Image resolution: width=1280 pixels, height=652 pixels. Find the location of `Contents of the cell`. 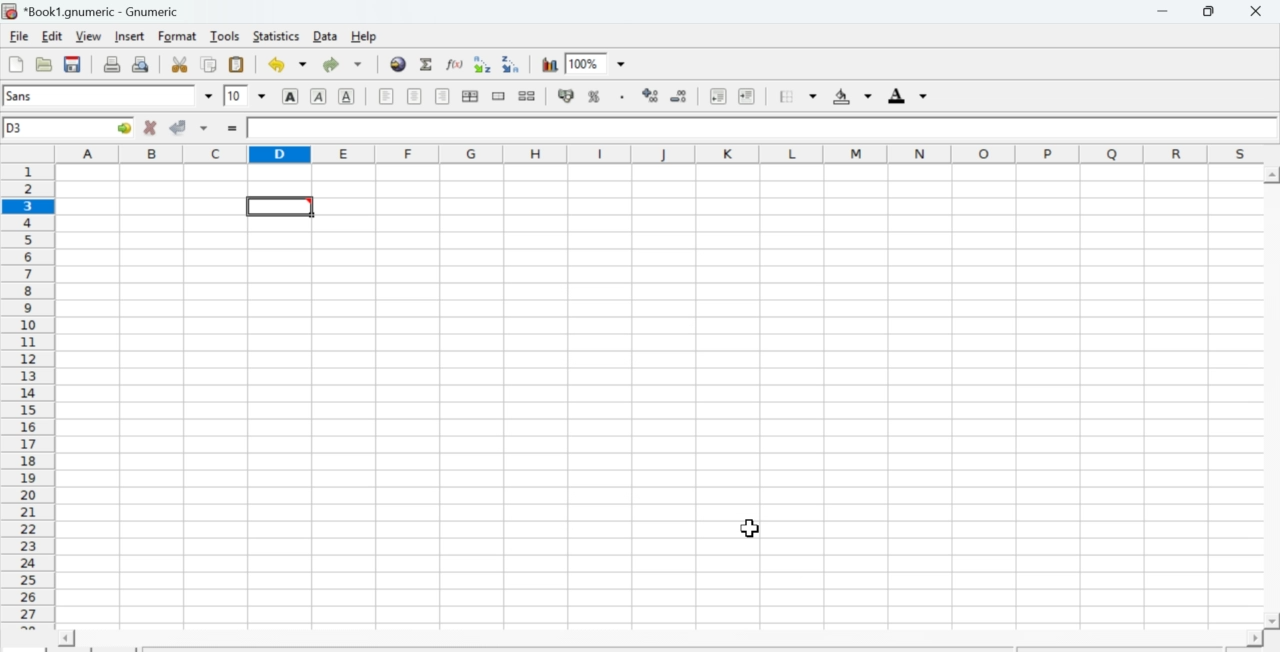

Contents of the cell is located at coordinates (754, 128).